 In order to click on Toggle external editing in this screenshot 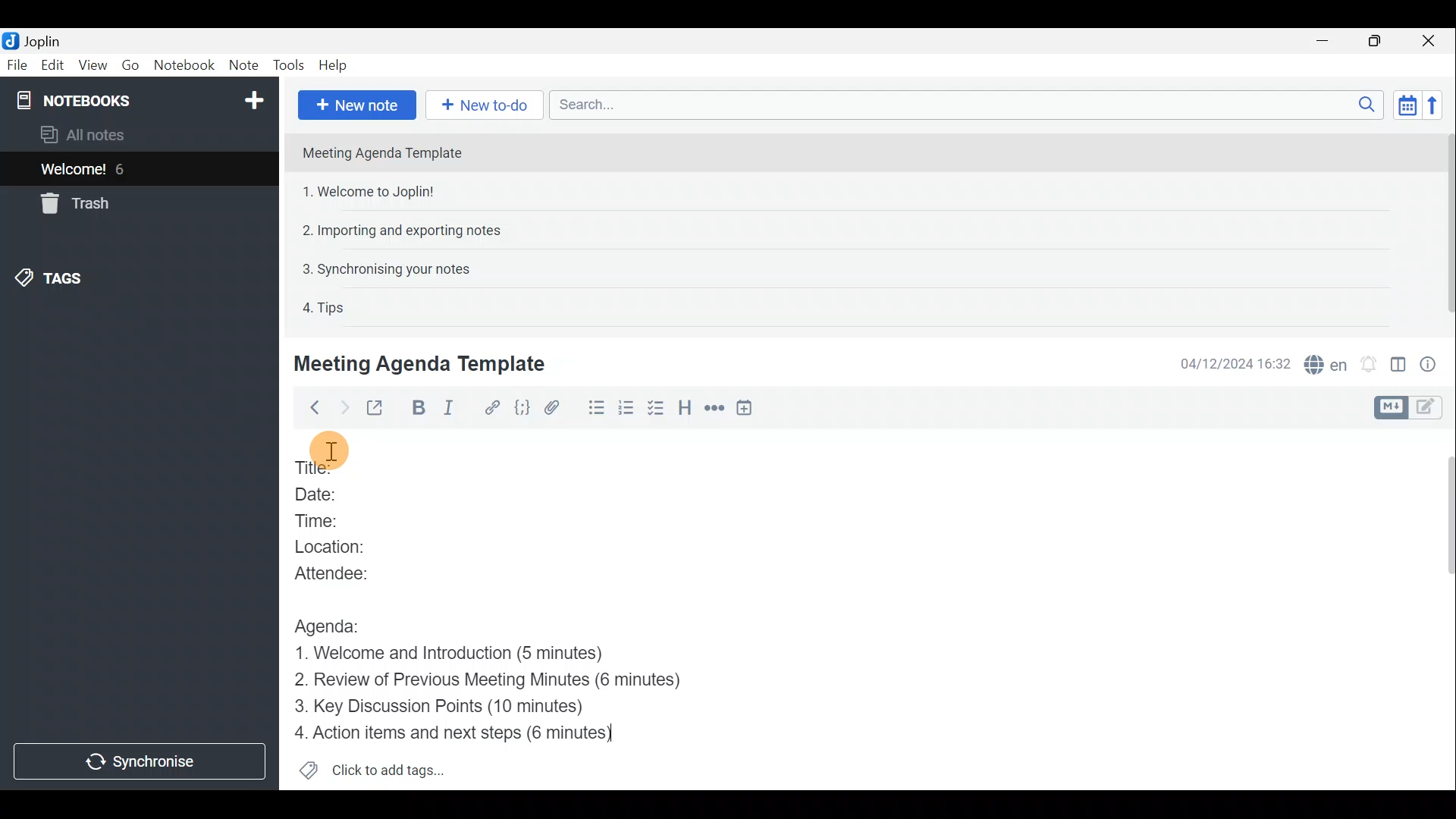, I will do `click(379, 409)`.